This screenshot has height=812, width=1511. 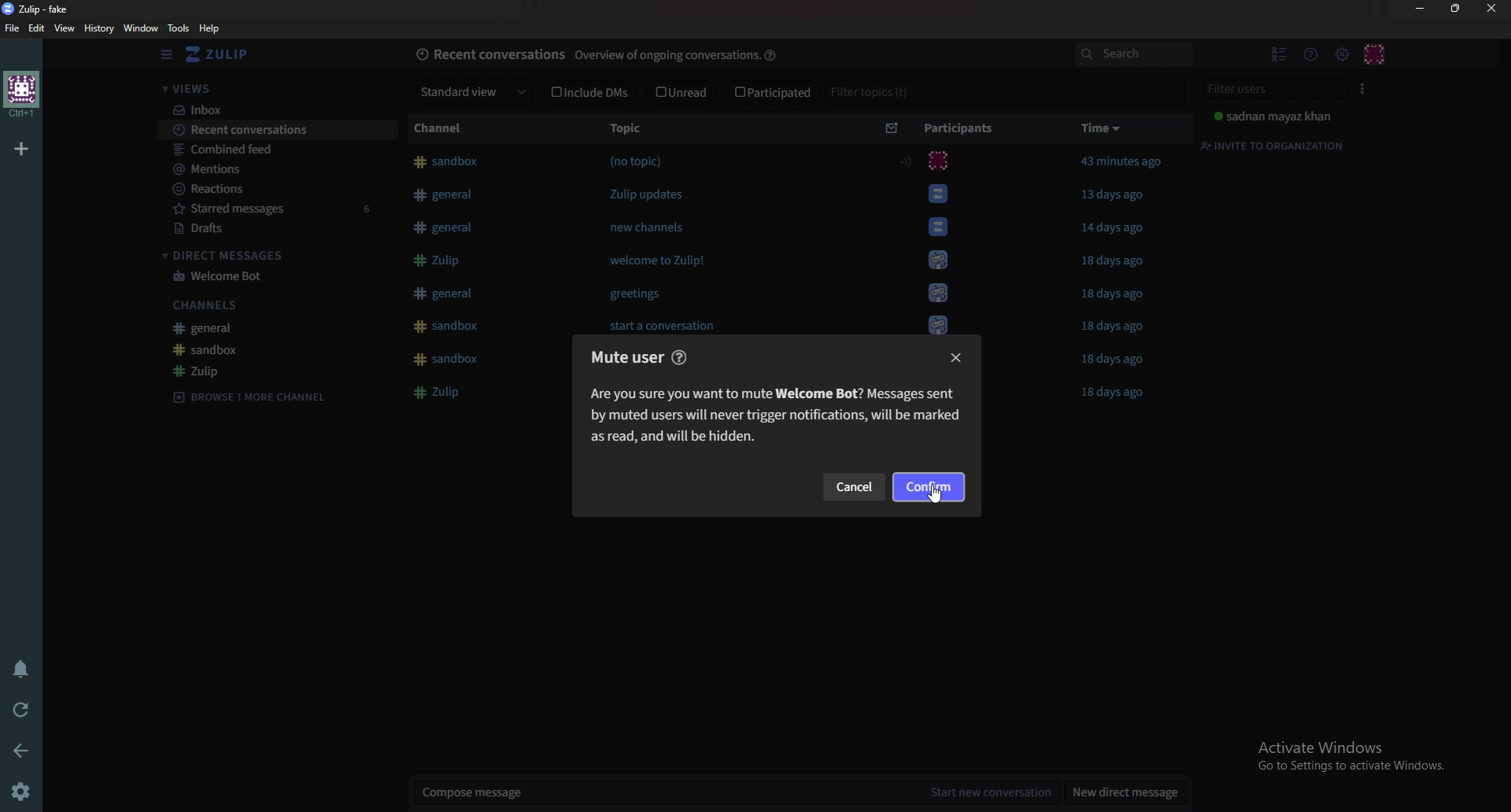 What do you see at coordinates (167, 56) in the screenshot?
I see `Hide sidebar` at bounding box center [167, 56].